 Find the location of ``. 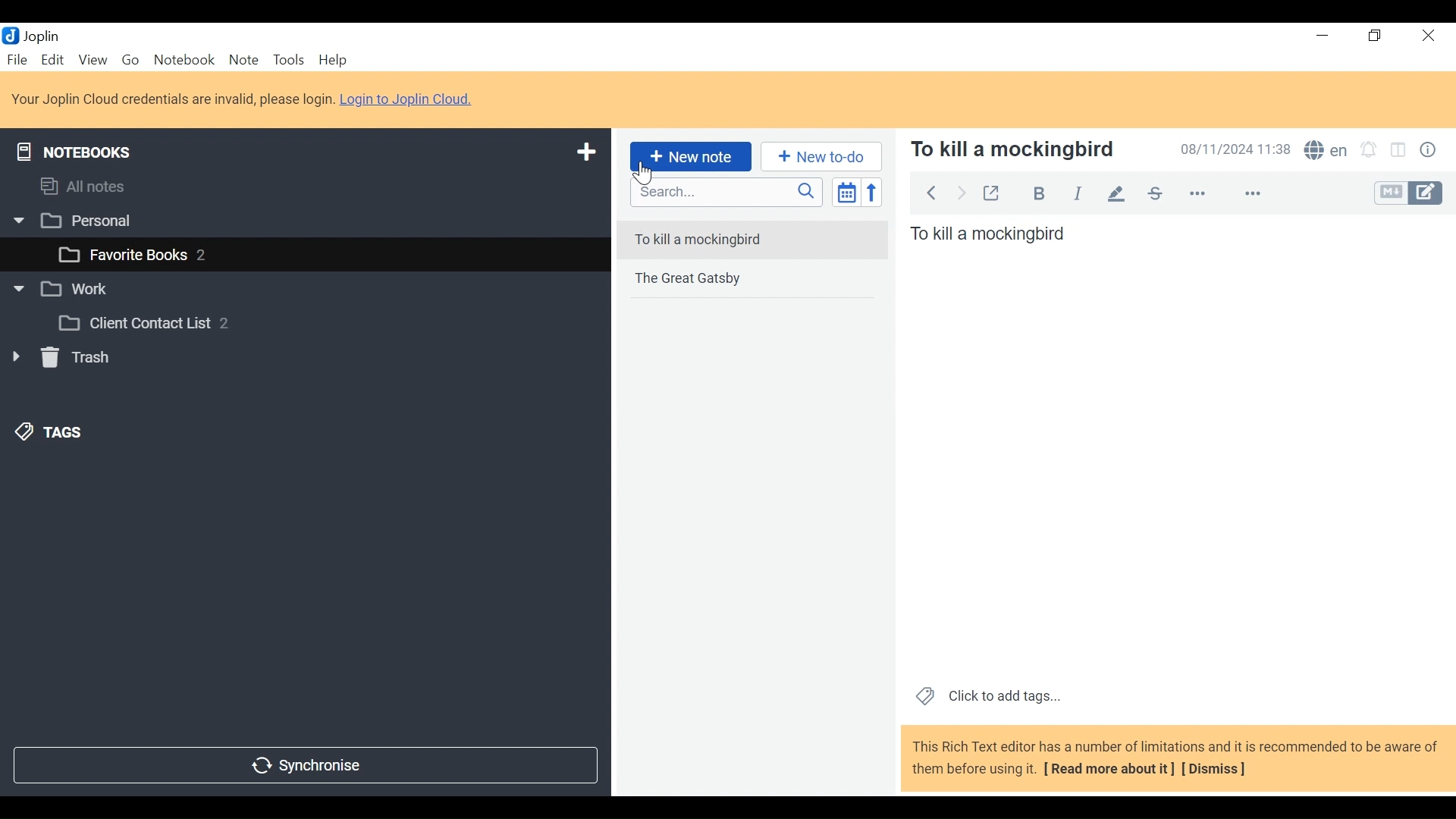

 is located at coordinates (54, 60).